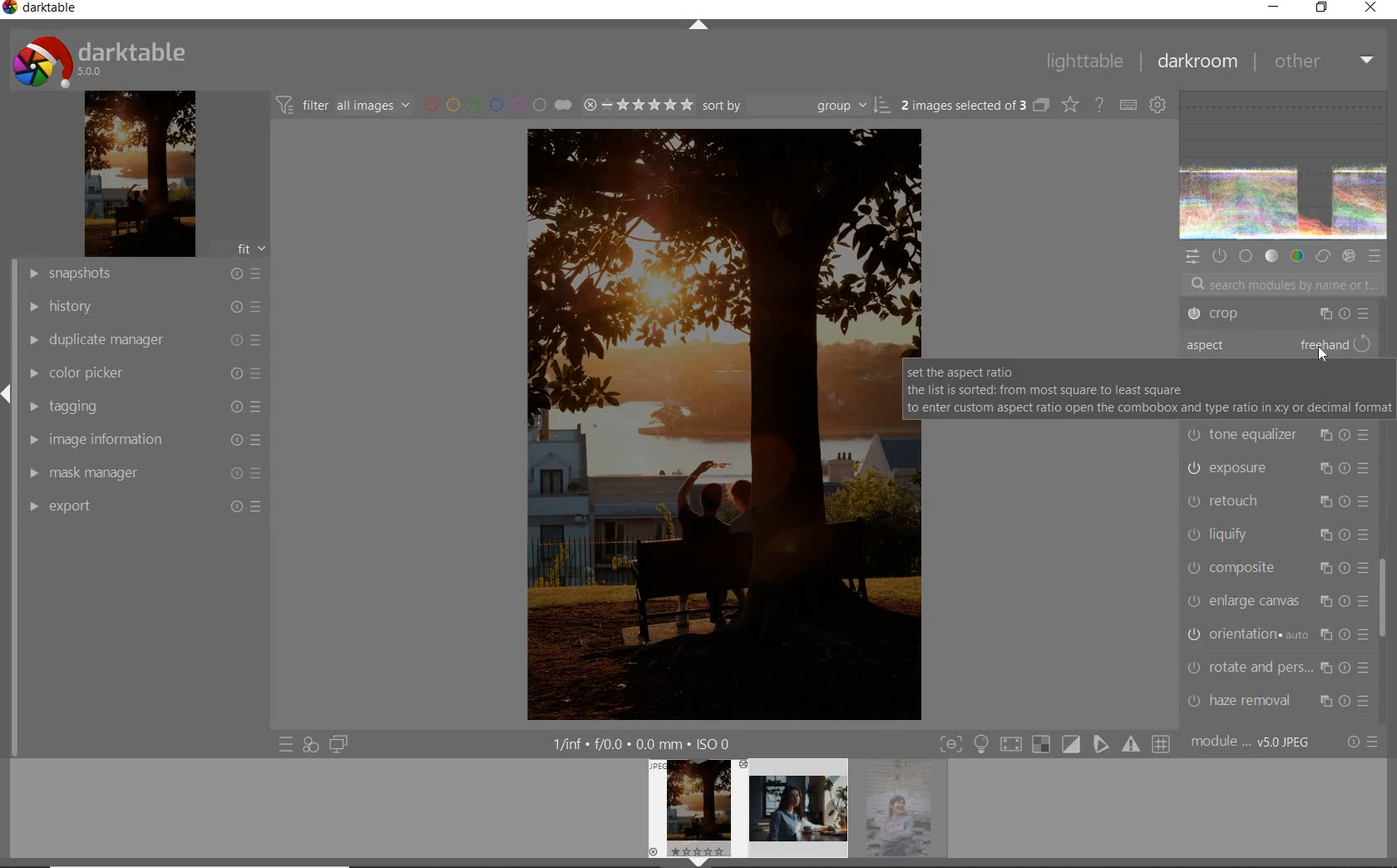  I want to click on expand/collapse, so click(698, 28).